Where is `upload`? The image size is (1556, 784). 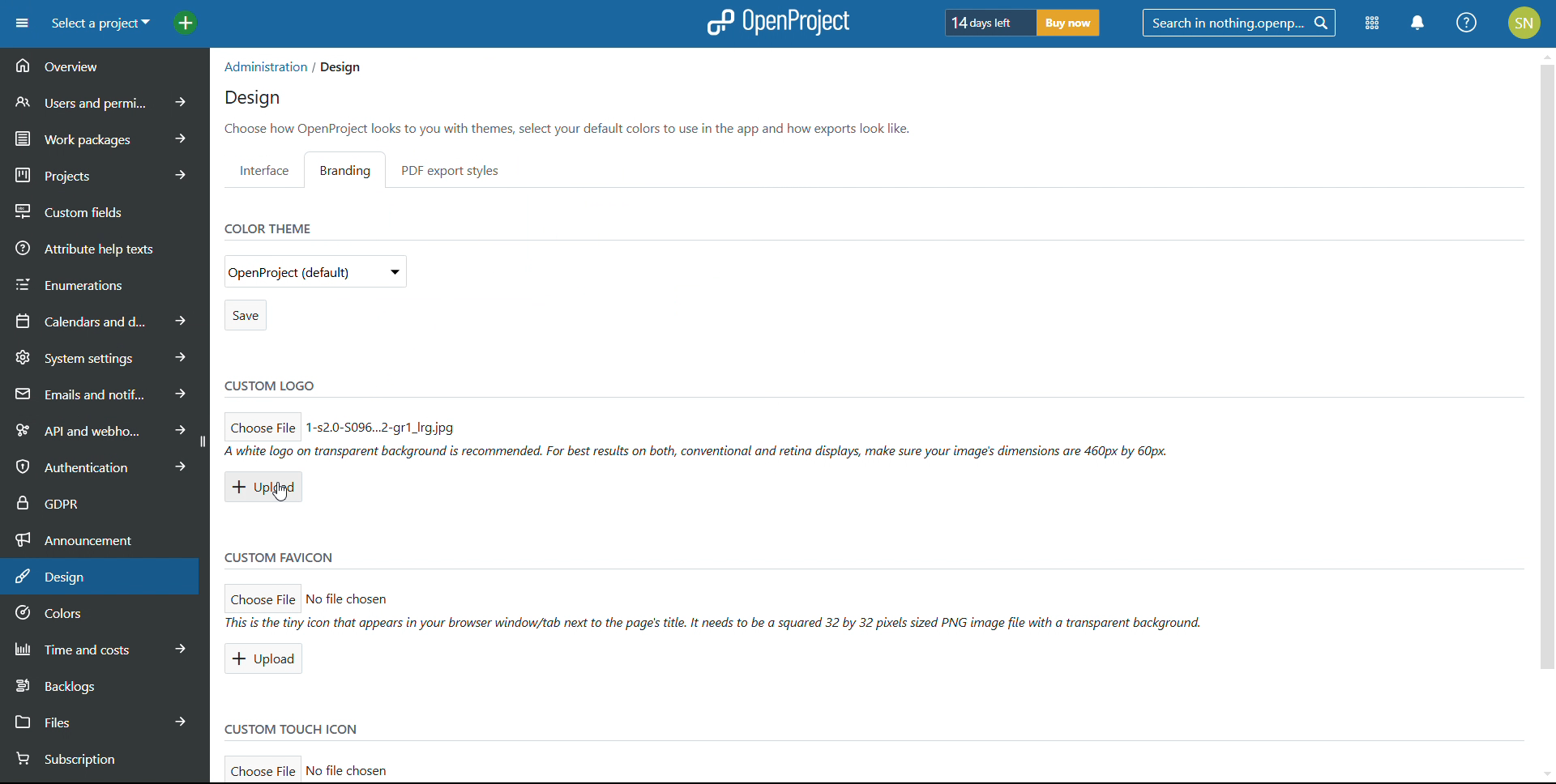 upload is located at coordinates (267, 486).